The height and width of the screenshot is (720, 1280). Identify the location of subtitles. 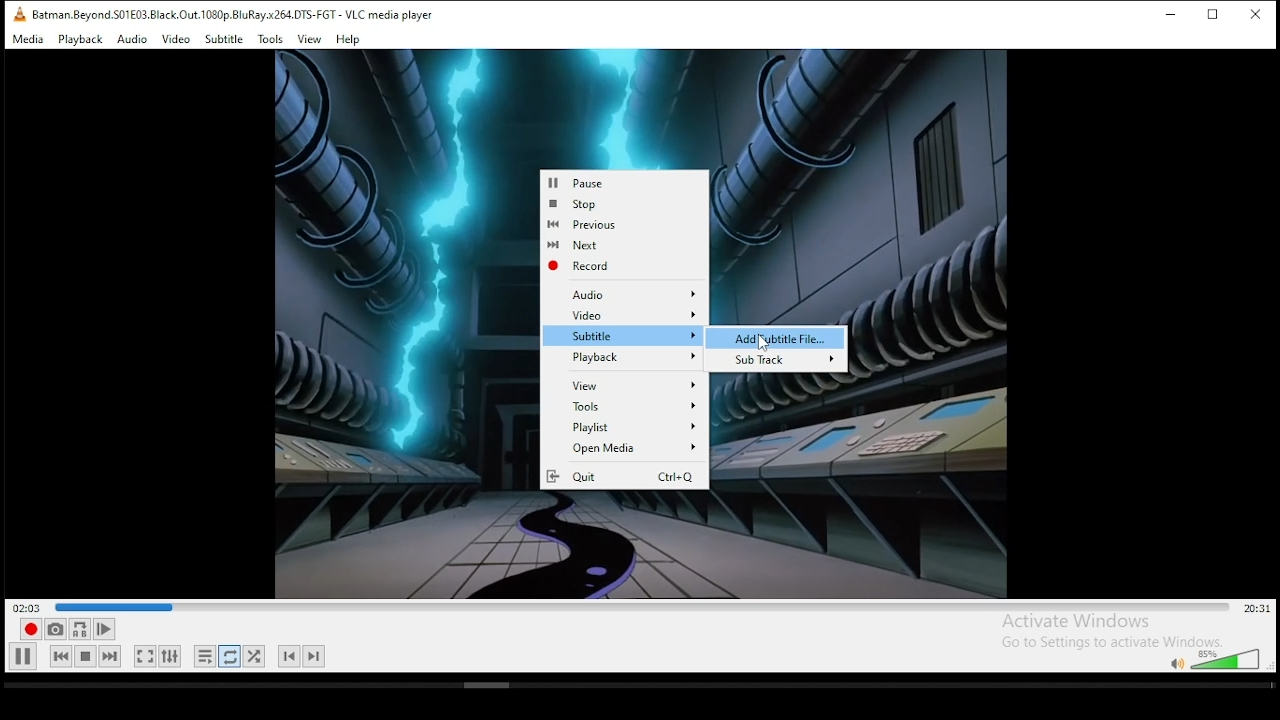
(625, 335).